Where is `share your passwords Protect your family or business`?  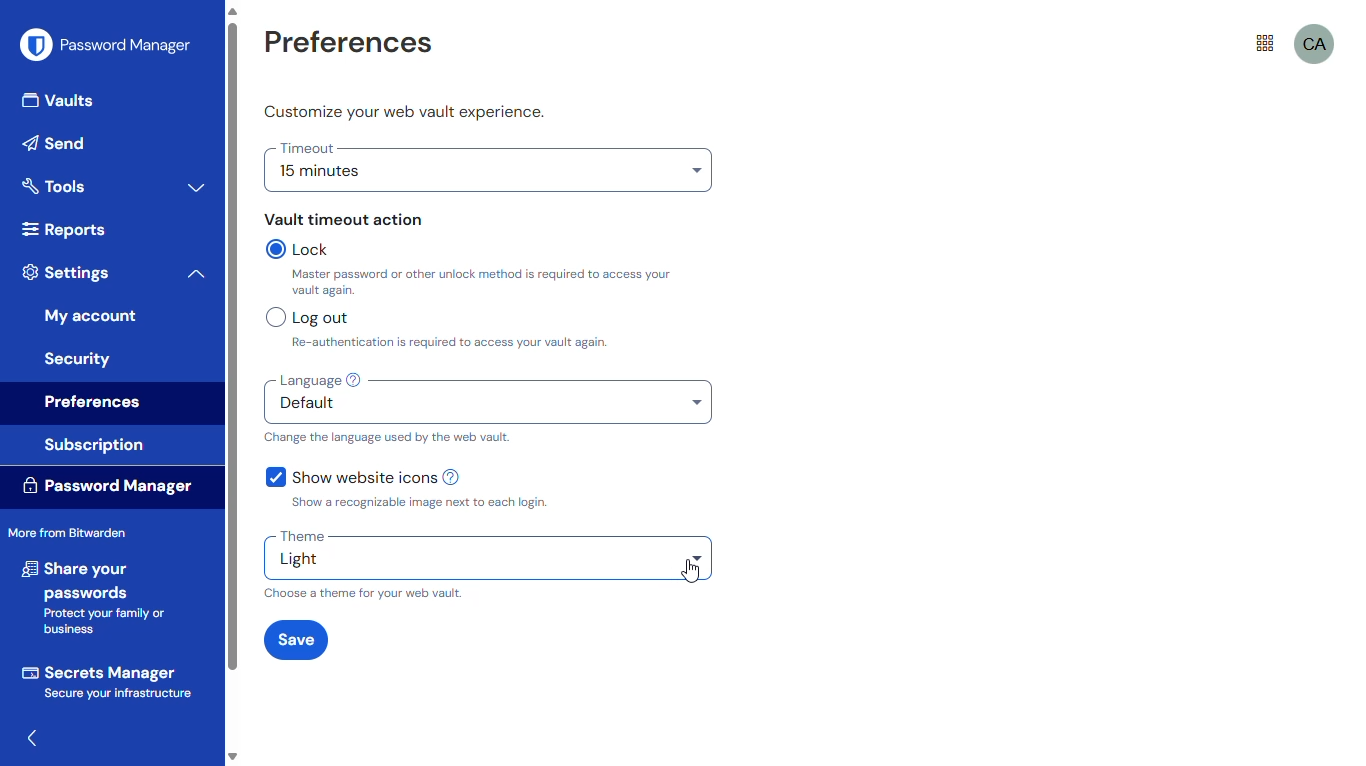 share your passwords Protect your family or business is located at coordinates (98, 598).